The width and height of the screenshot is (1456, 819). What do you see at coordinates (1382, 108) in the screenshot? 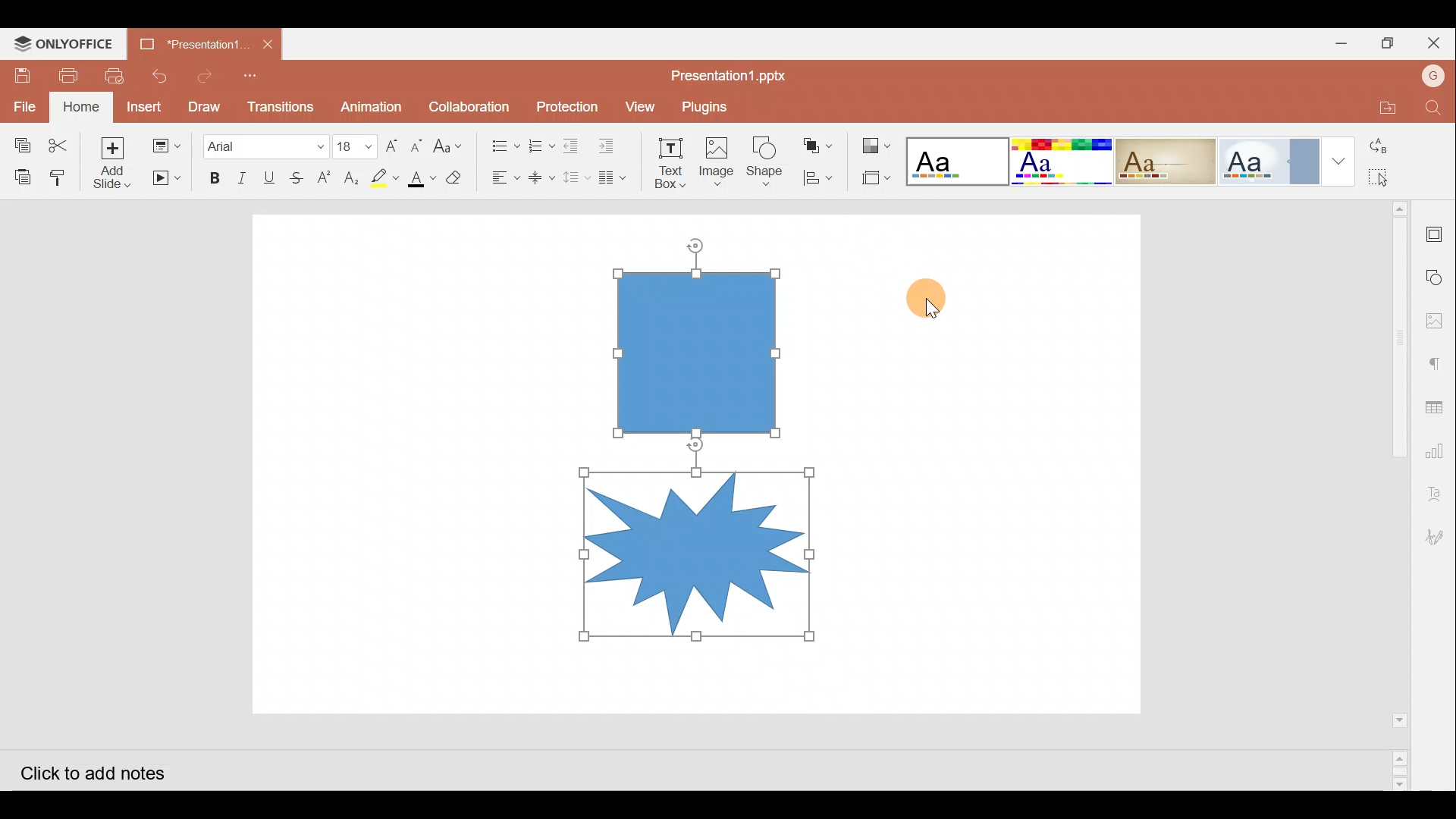
I see `Open file location` at bounding box center [1382, 108].